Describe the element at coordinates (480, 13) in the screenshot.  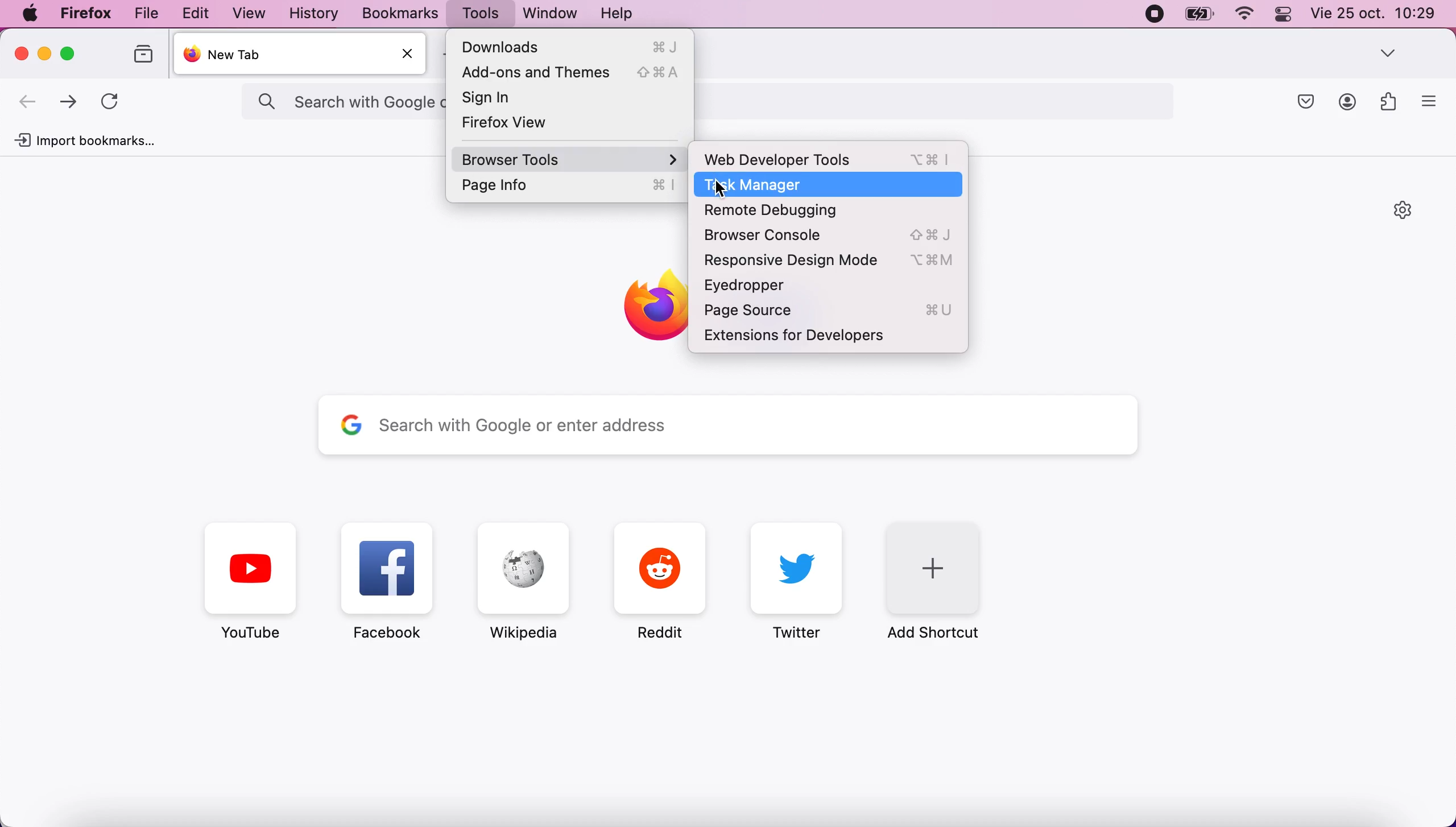
I see `Tools` at that location.